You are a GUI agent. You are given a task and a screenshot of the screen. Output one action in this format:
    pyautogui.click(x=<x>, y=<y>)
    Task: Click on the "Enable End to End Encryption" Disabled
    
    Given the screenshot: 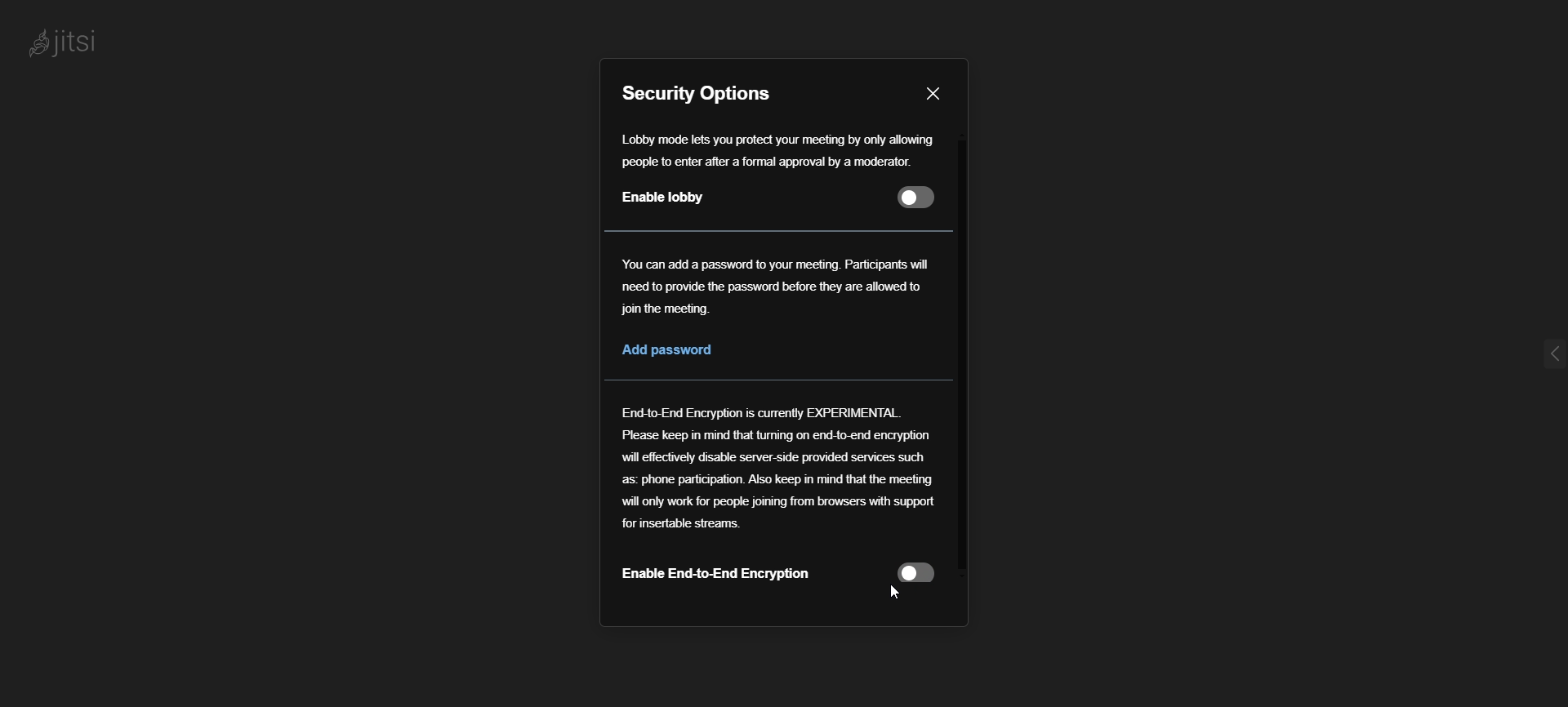 What is the action you would take?
    pyautogui.click(x=784, y=568)
    